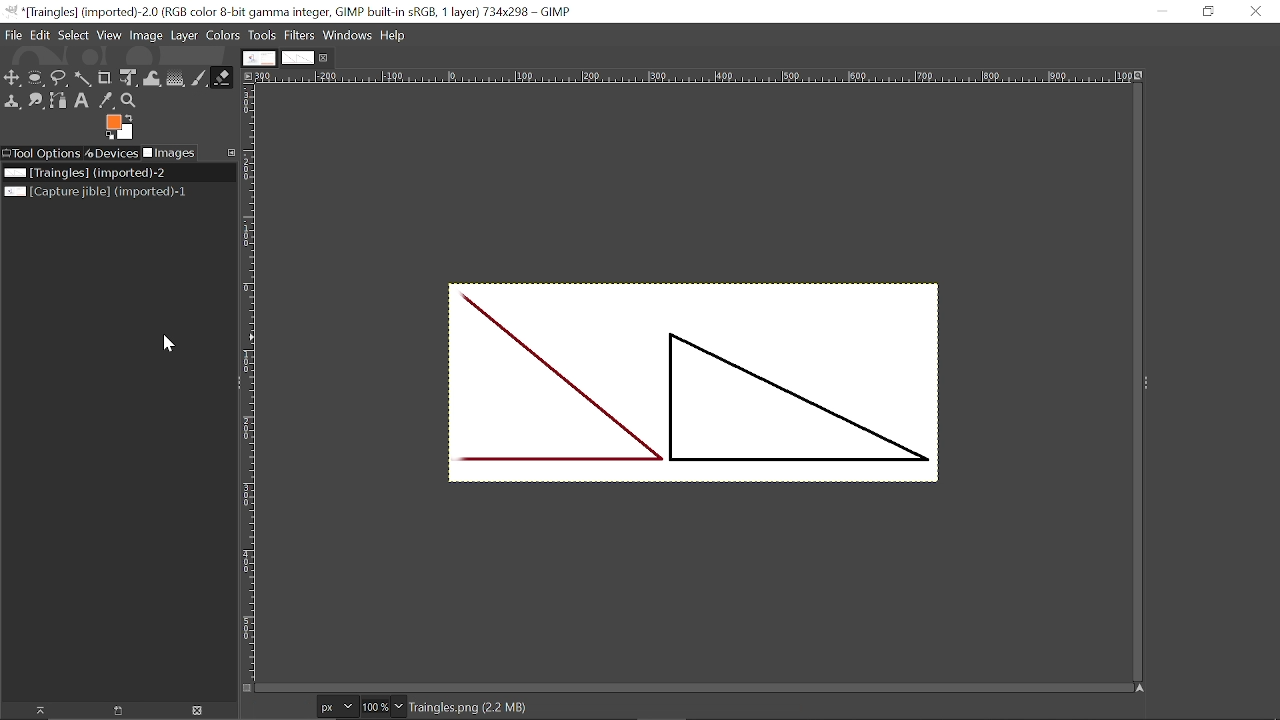  What do you see at coordinates (196, 712) in the screenshot?
I see `Delete image` at bounding box center [196, 712].